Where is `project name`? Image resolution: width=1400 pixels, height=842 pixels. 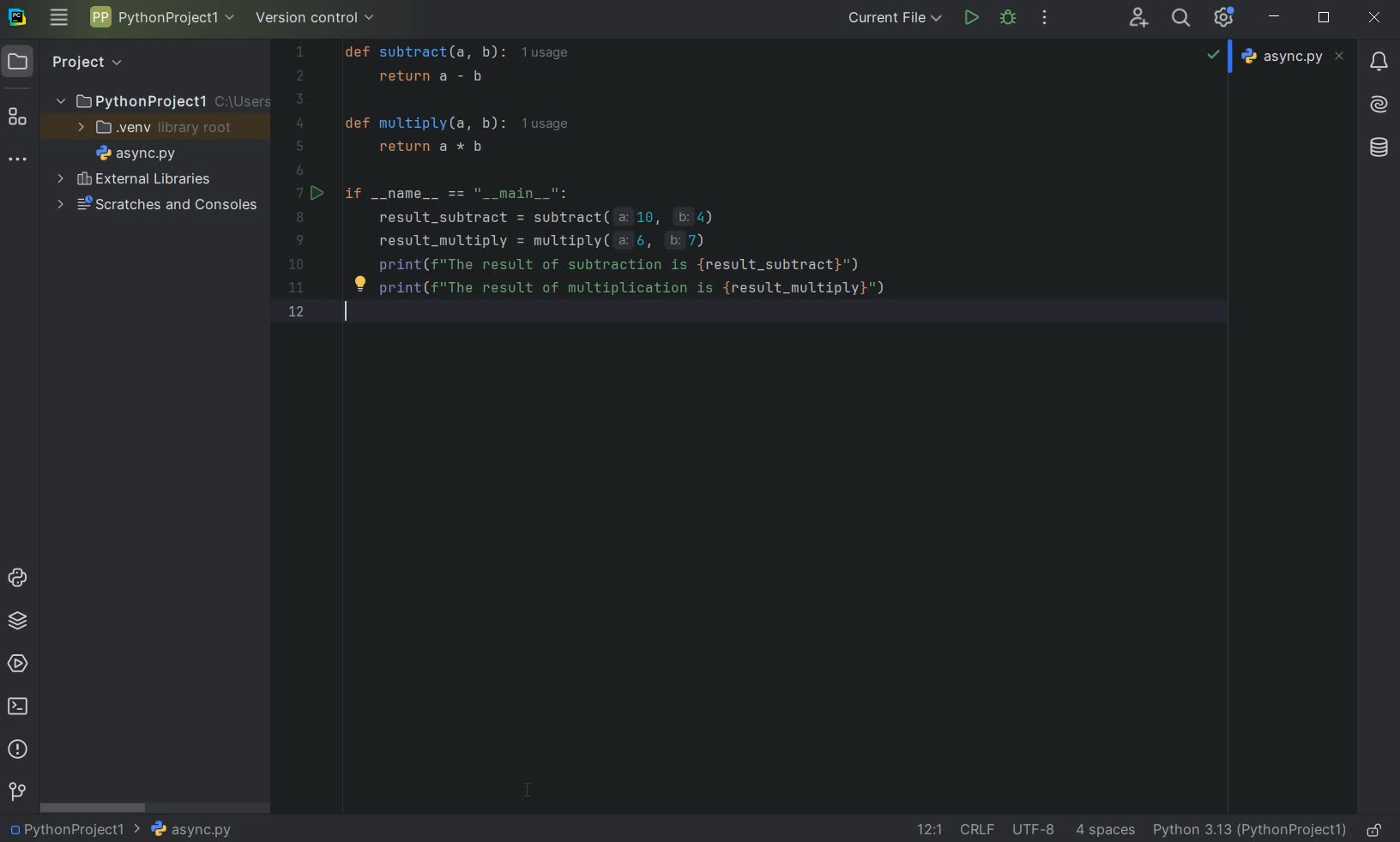
project name is located at coordinates (158, 100).